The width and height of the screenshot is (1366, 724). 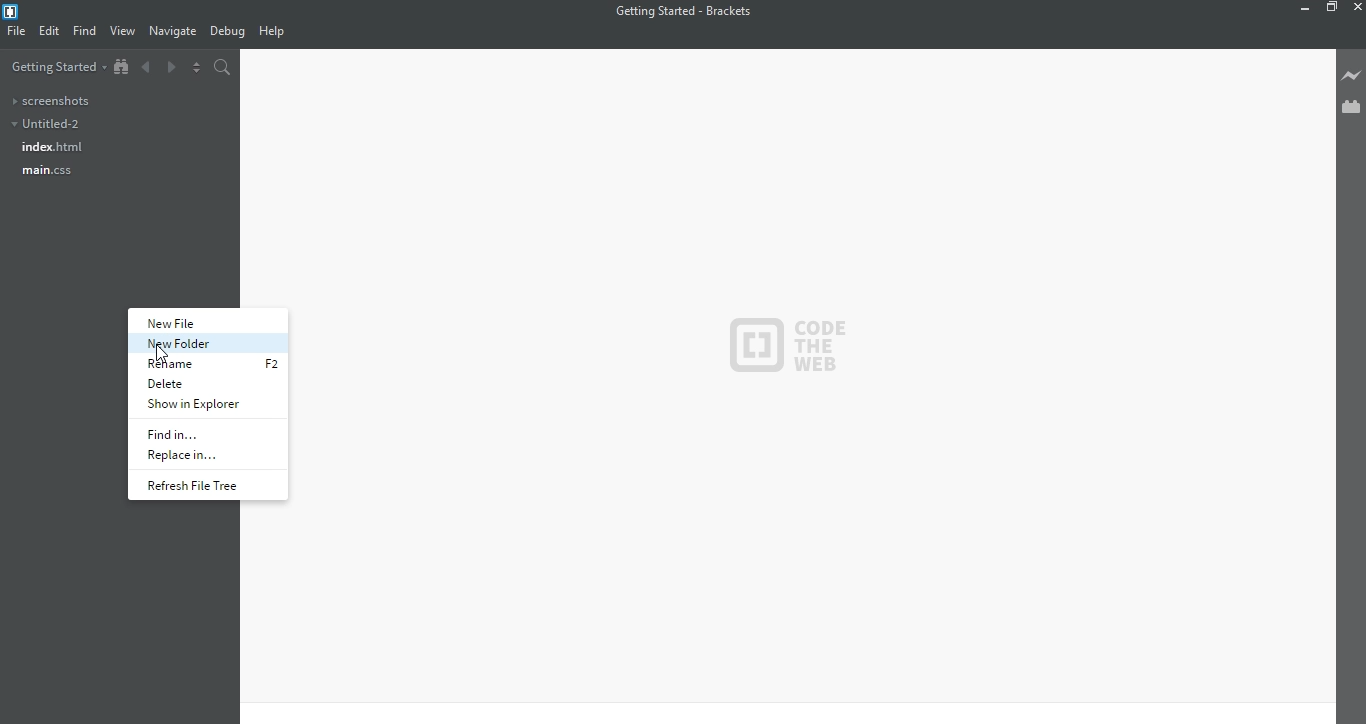 What do you see at coordinates (181, 432) in the screenshot?
I see `find in` at bounding box center [181, 432].